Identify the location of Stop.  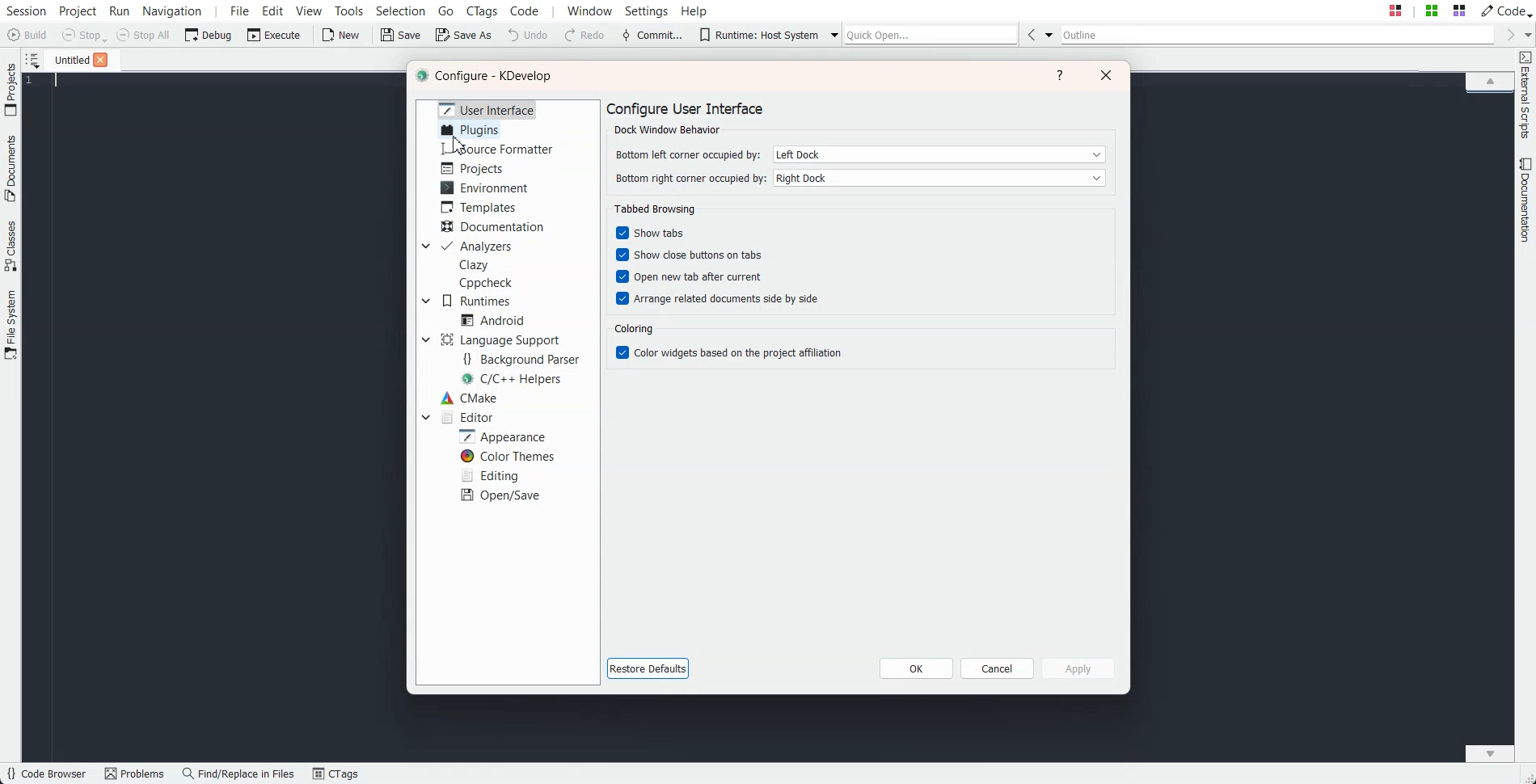
(84, 36).